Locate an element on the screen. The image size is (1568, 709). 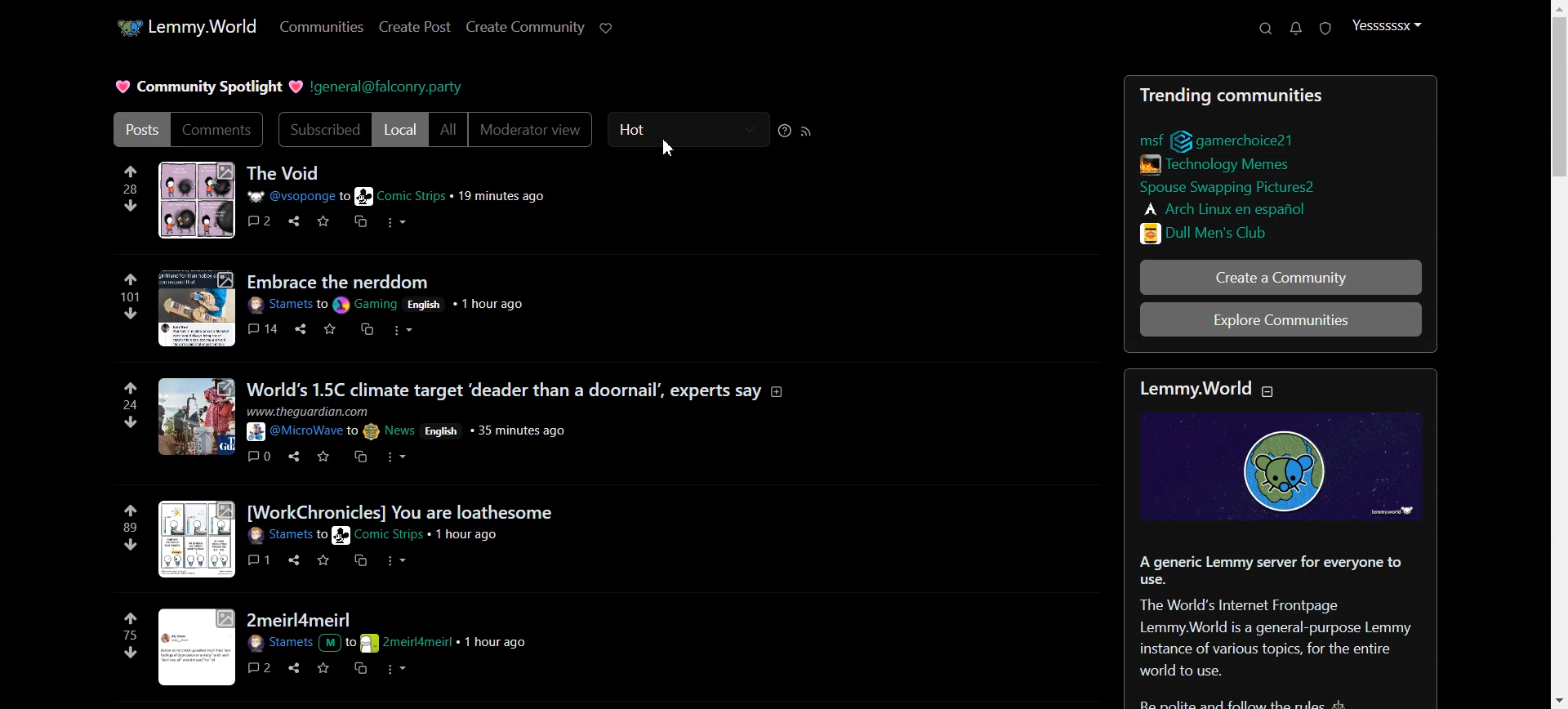
upvote is located at coordinates (129, 511).